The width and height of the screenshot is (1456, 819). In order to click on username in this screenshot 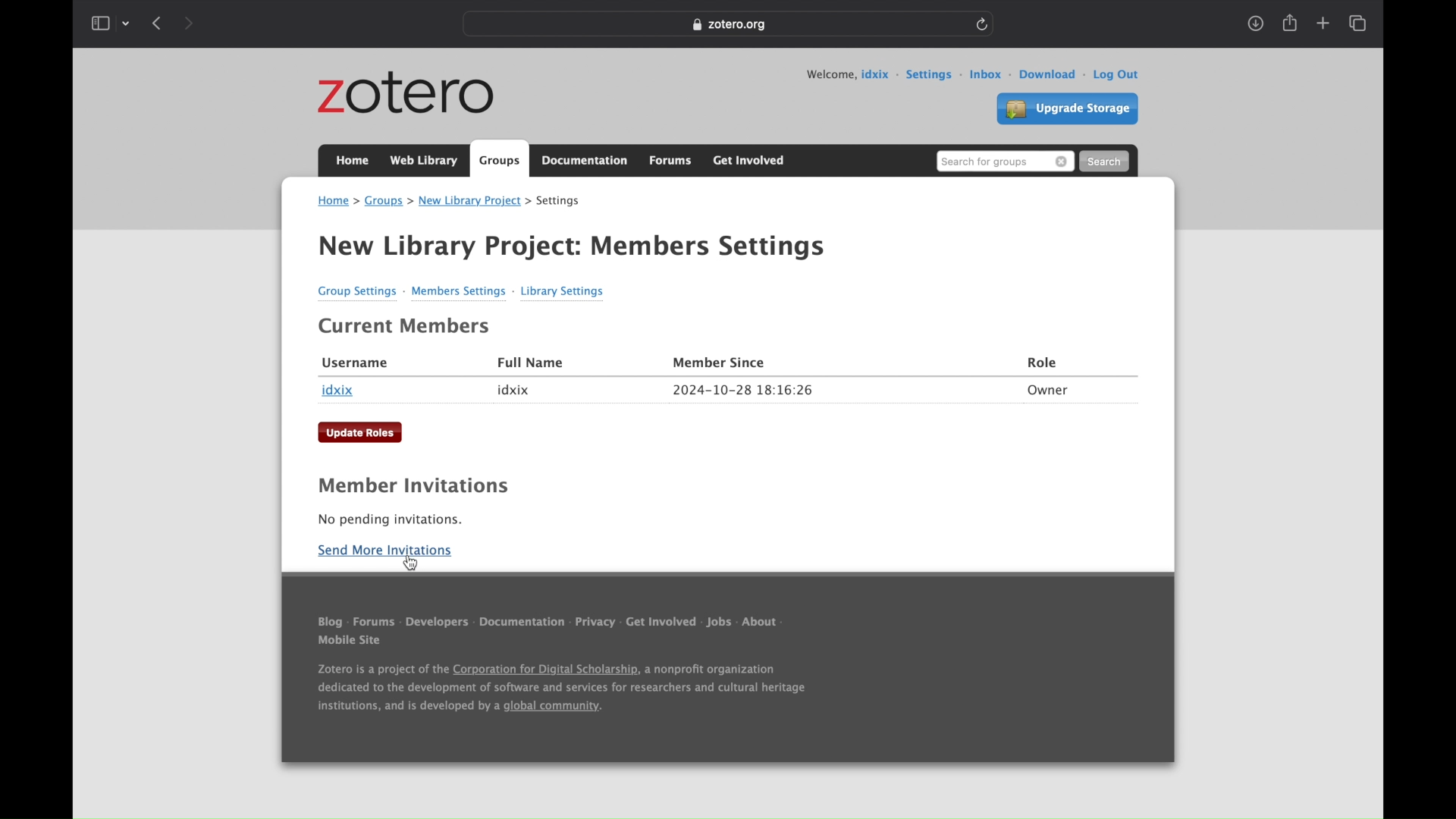, I will do `click(354, 363)`.